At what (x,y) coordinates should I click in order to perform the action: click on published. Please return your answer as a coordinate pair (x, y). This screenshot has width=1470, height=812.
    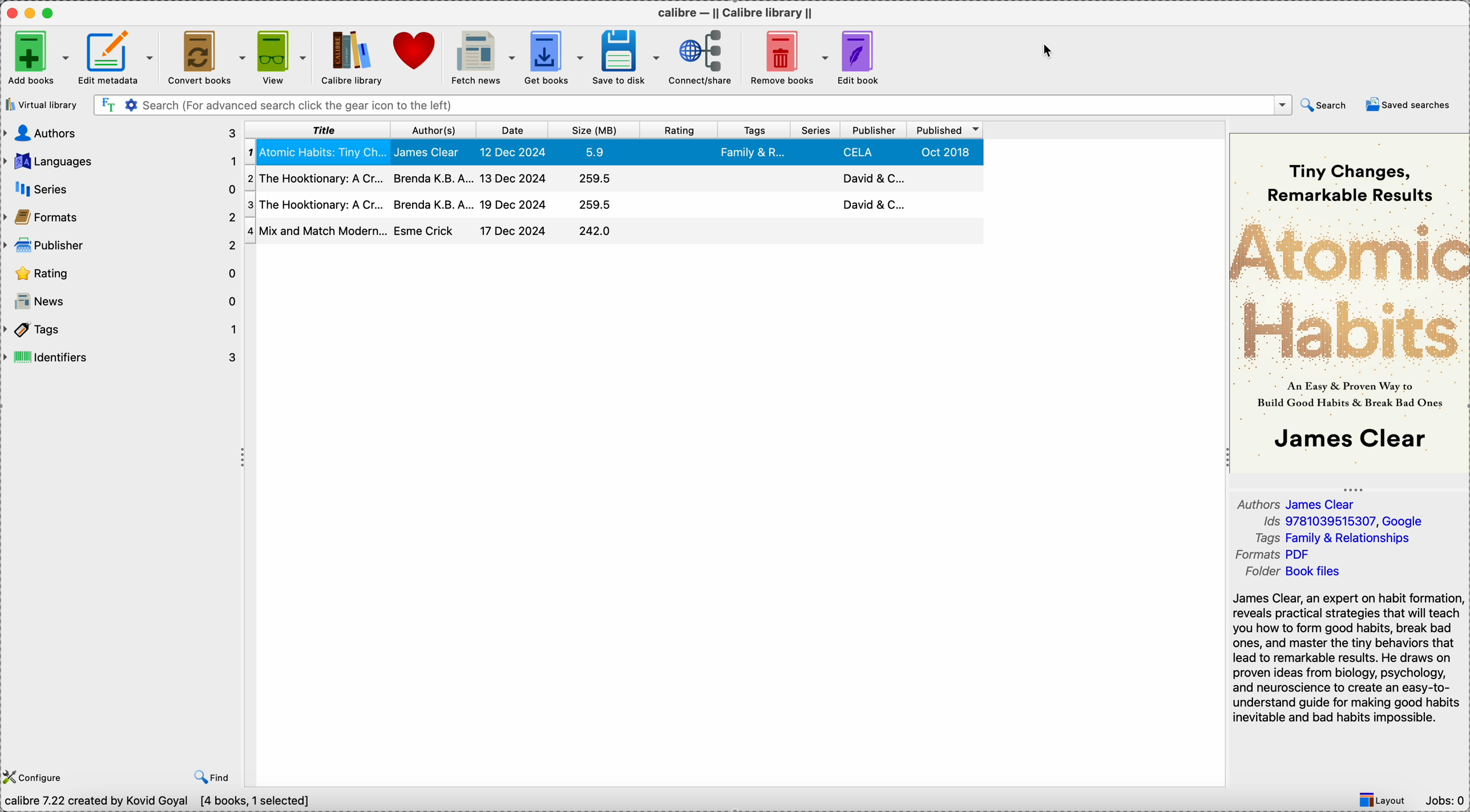
    Looking at the image, I should click on (946, 131).